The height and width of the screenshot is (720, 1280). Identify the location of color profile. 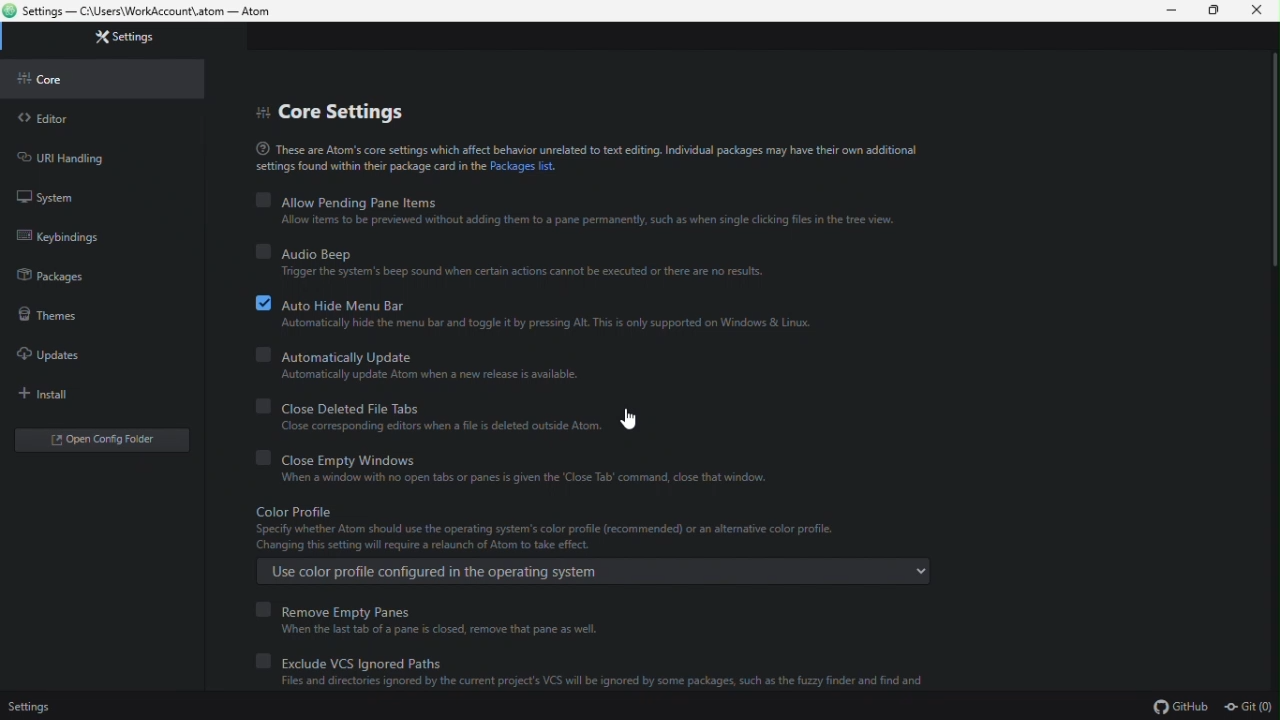
(294, 510).